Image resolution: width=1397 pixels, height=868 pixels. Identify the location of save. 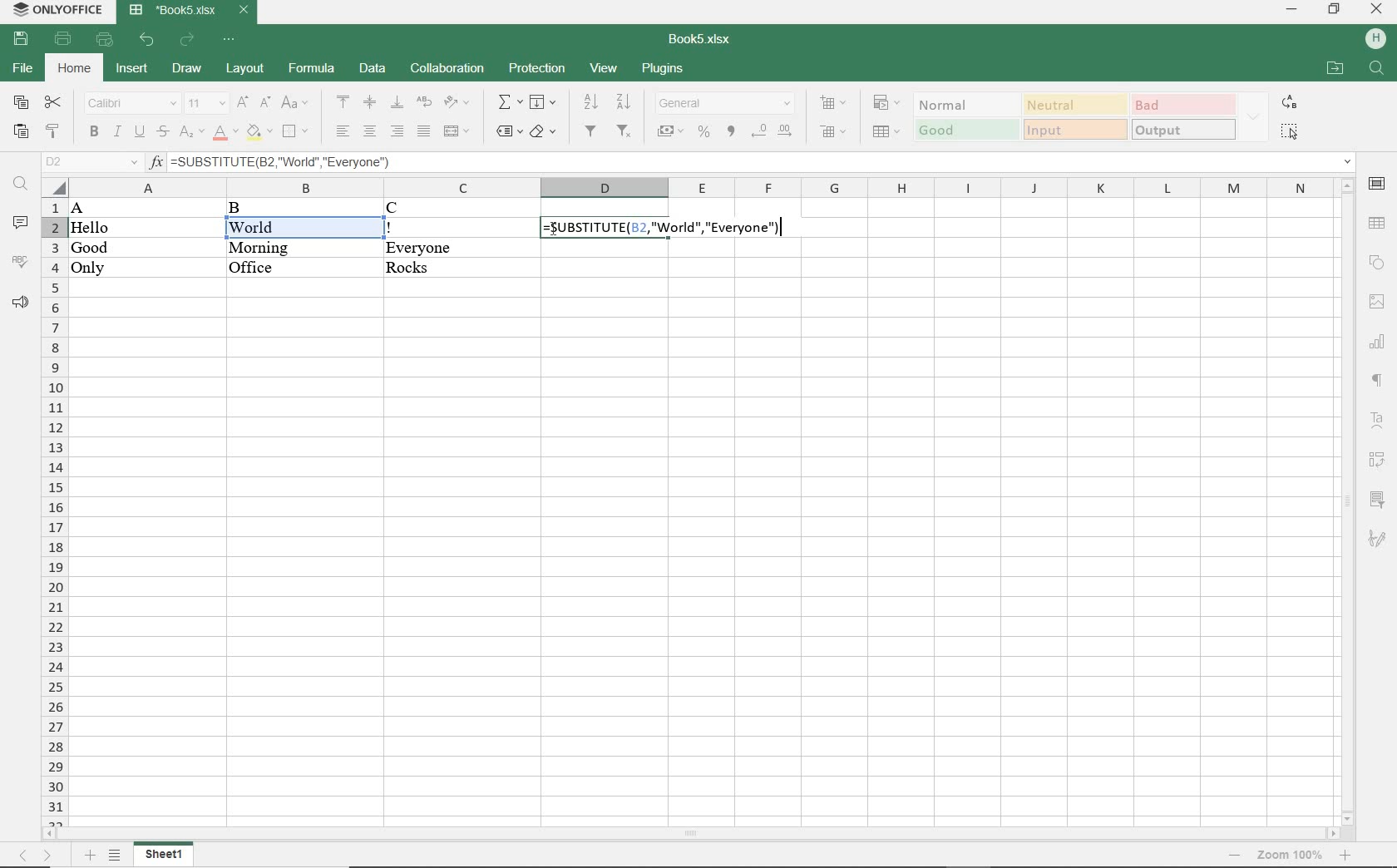
(23, 39).